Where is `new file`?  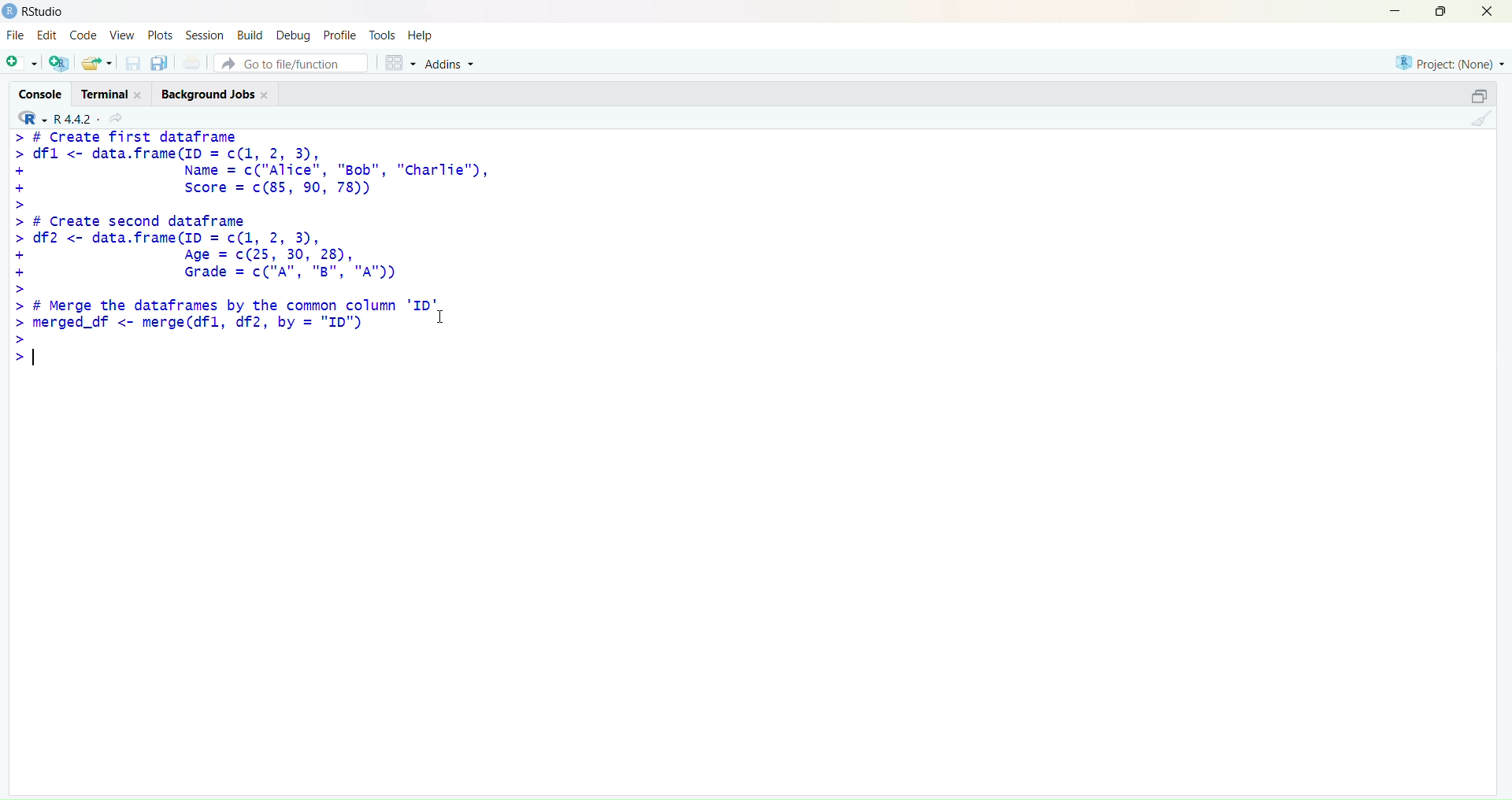
new file is located at coordinates (20, 61).